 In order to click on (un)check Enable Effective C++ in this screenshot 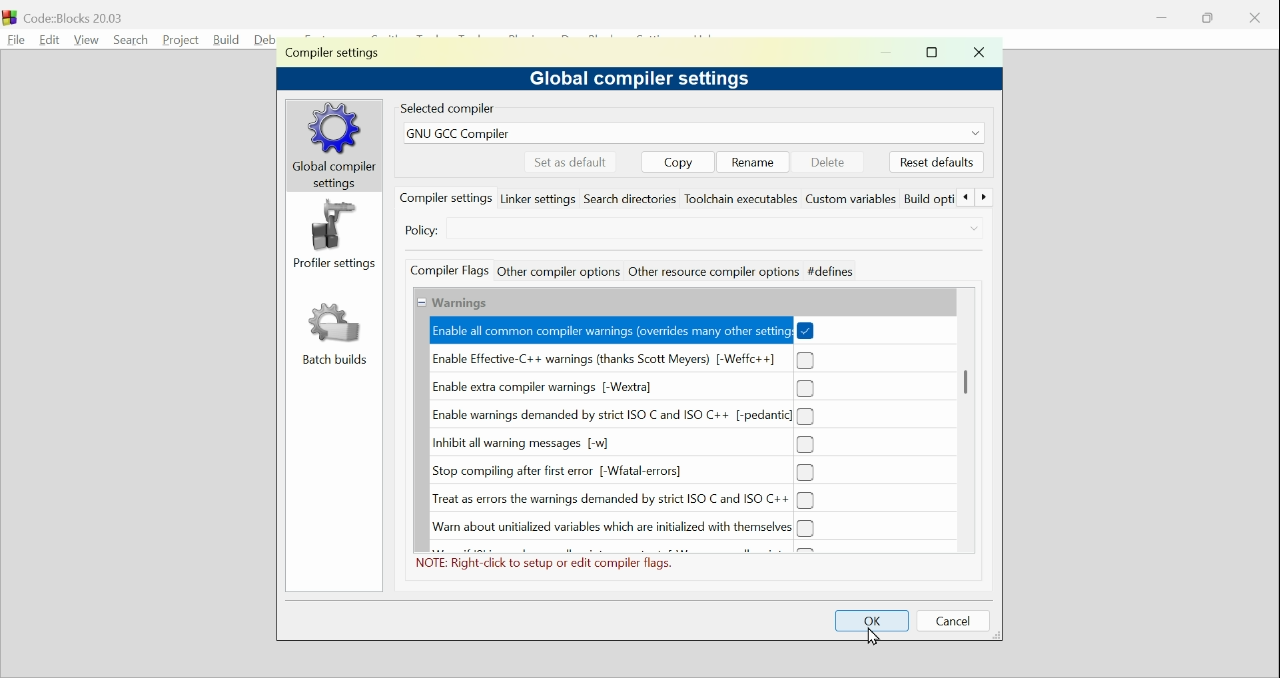, I will do `click(622, 360)`.